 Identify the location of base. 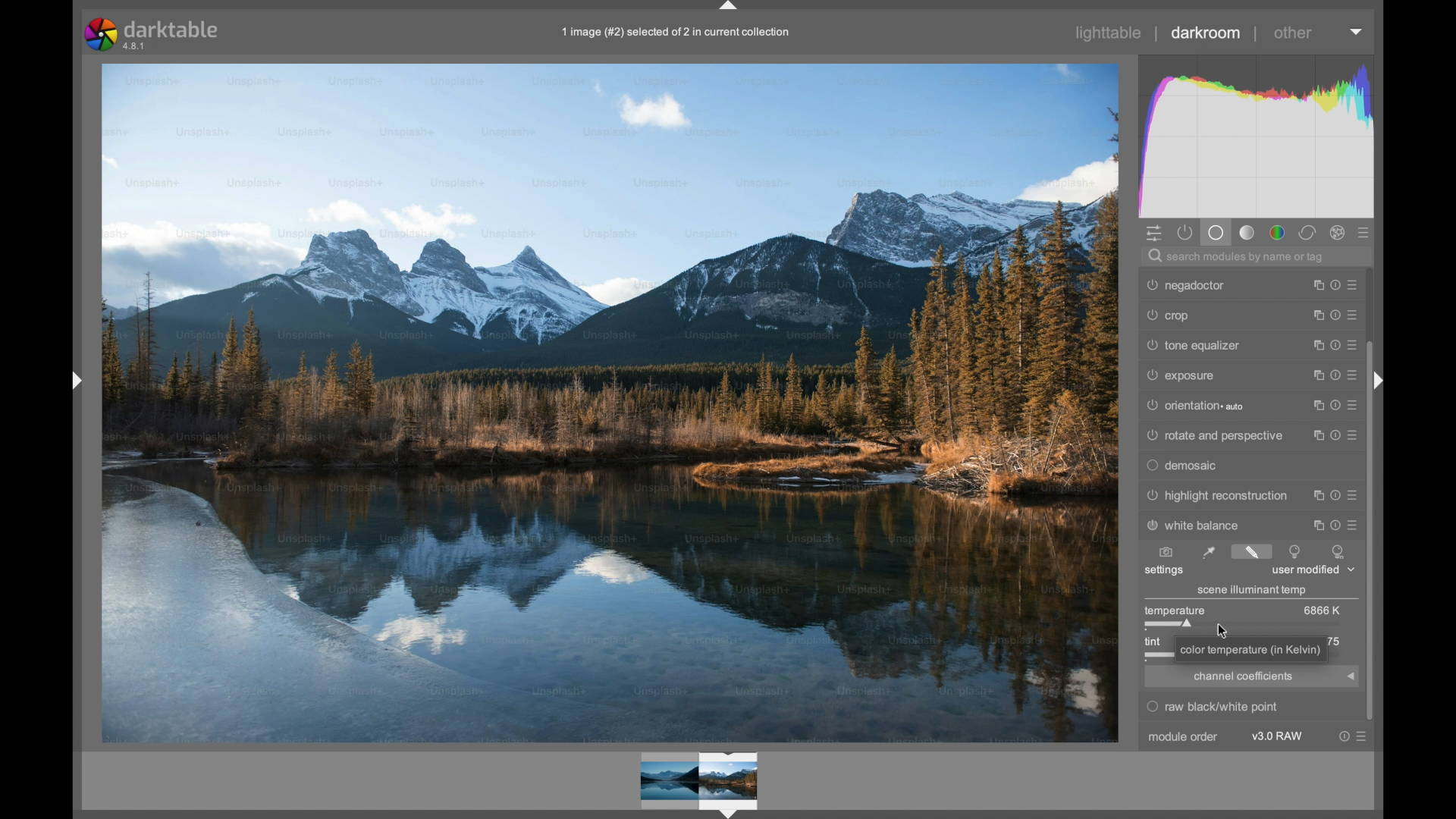
(1216, 232).